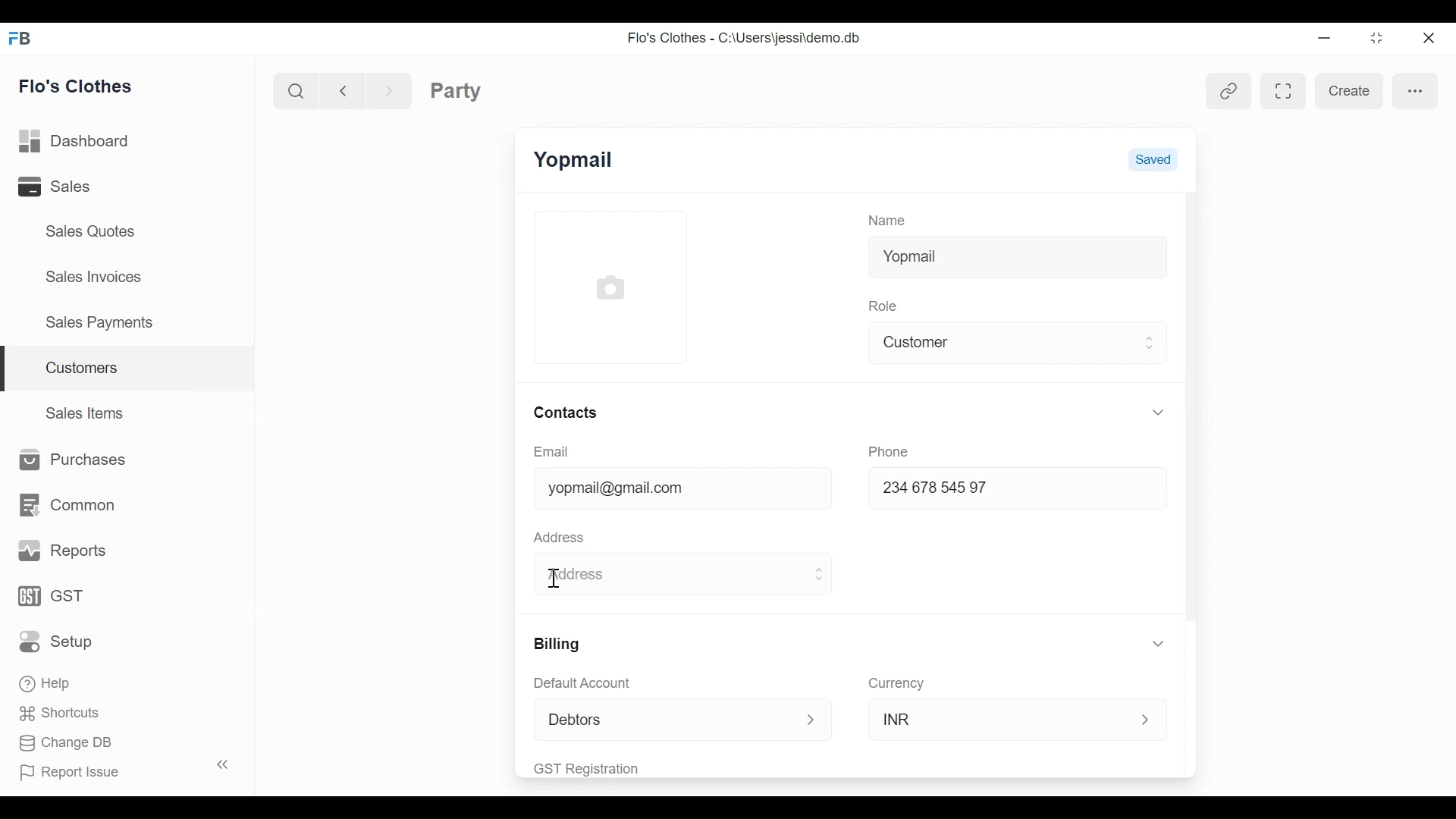 This screenshot has width=1456, height=819. I want to click on Search, so click(299, 90).